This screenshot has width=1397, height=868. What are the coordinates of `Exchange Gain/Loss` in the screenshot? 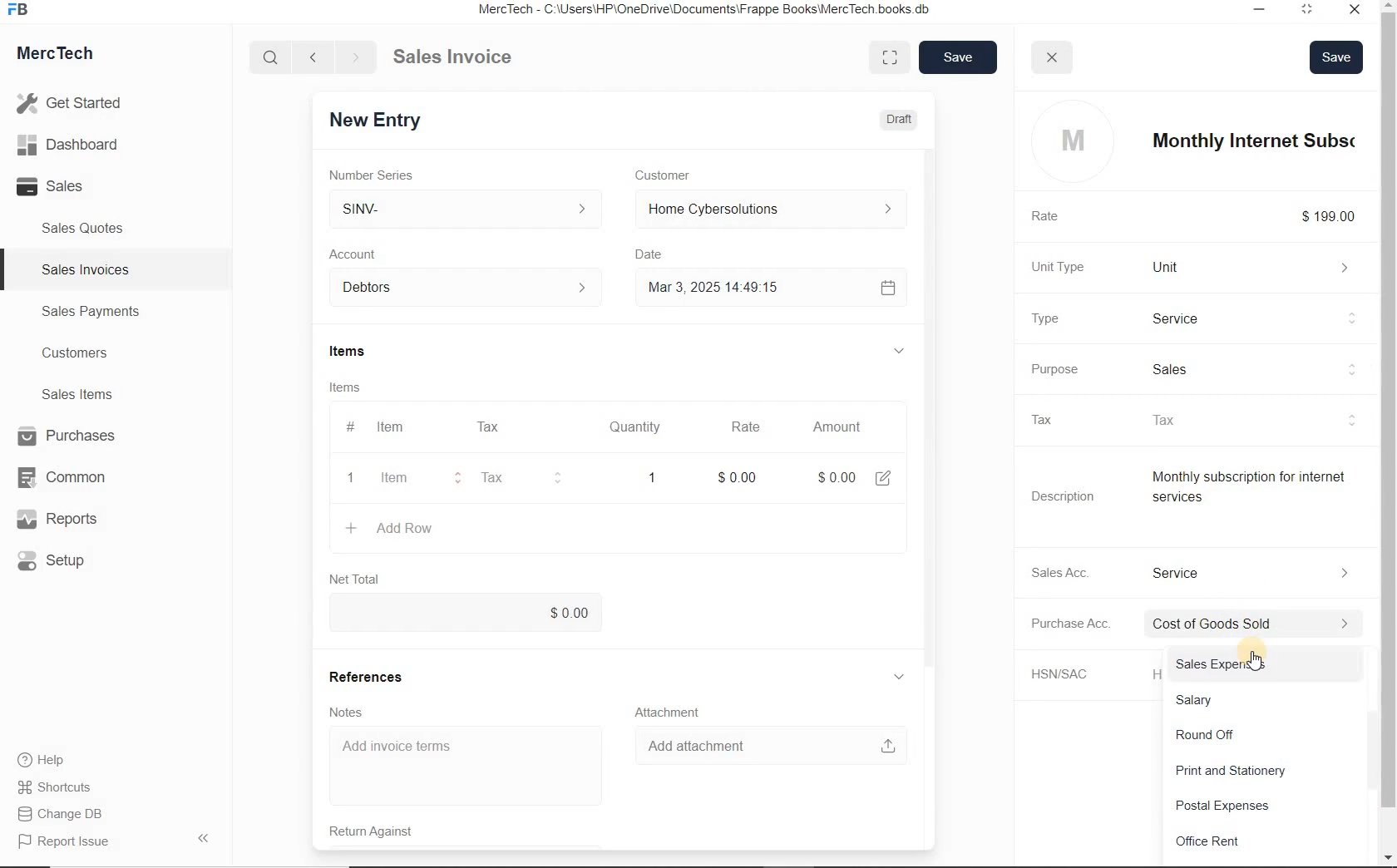 It's located at (1266, 702).